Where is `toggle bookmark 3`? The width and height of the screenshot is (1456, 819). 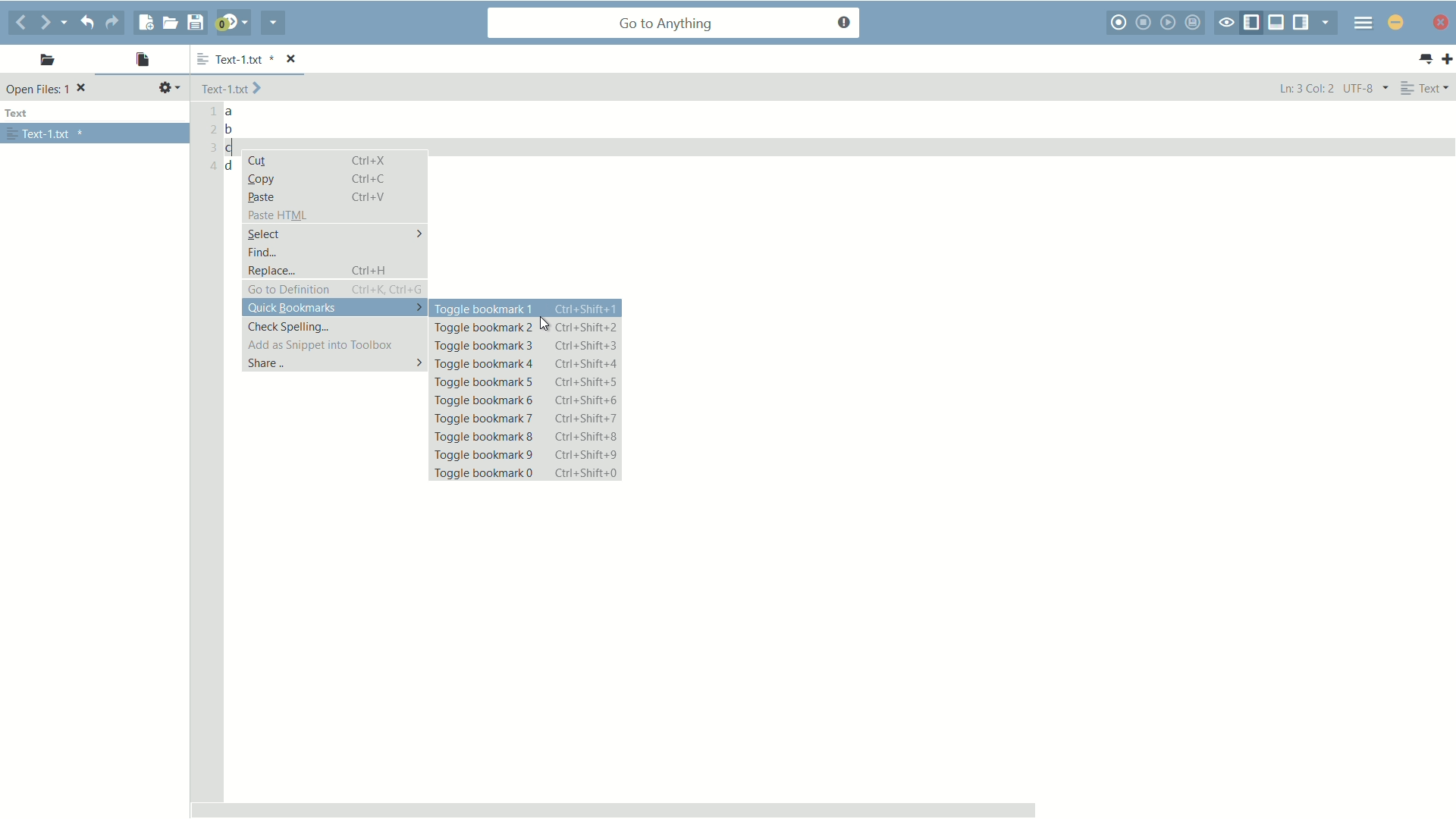
toggle bookmark 3 is located at coordinates (524, 347).